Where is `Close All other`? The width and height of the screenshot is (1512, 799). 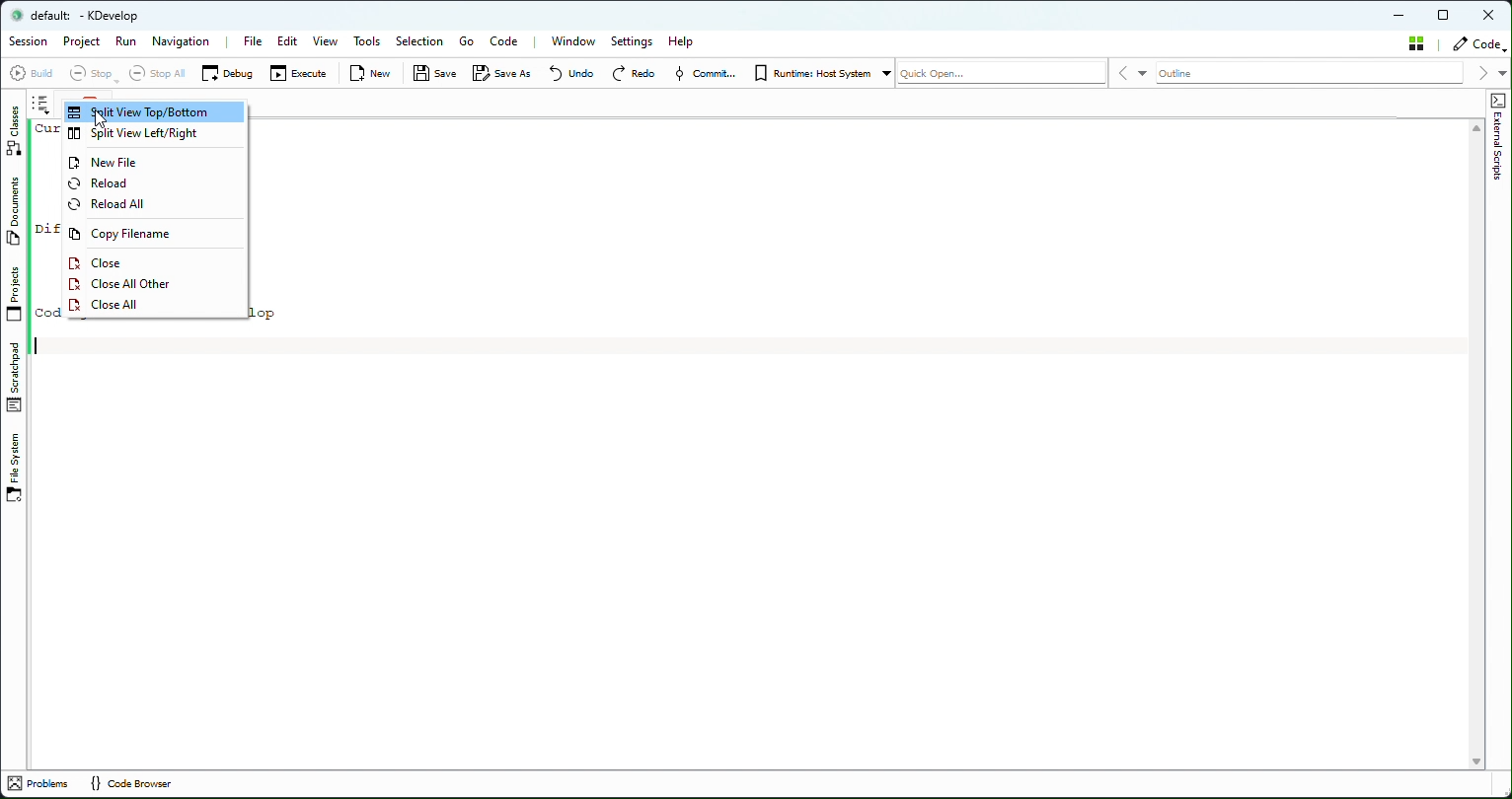 Close All other is located at coordinates (153, 285).